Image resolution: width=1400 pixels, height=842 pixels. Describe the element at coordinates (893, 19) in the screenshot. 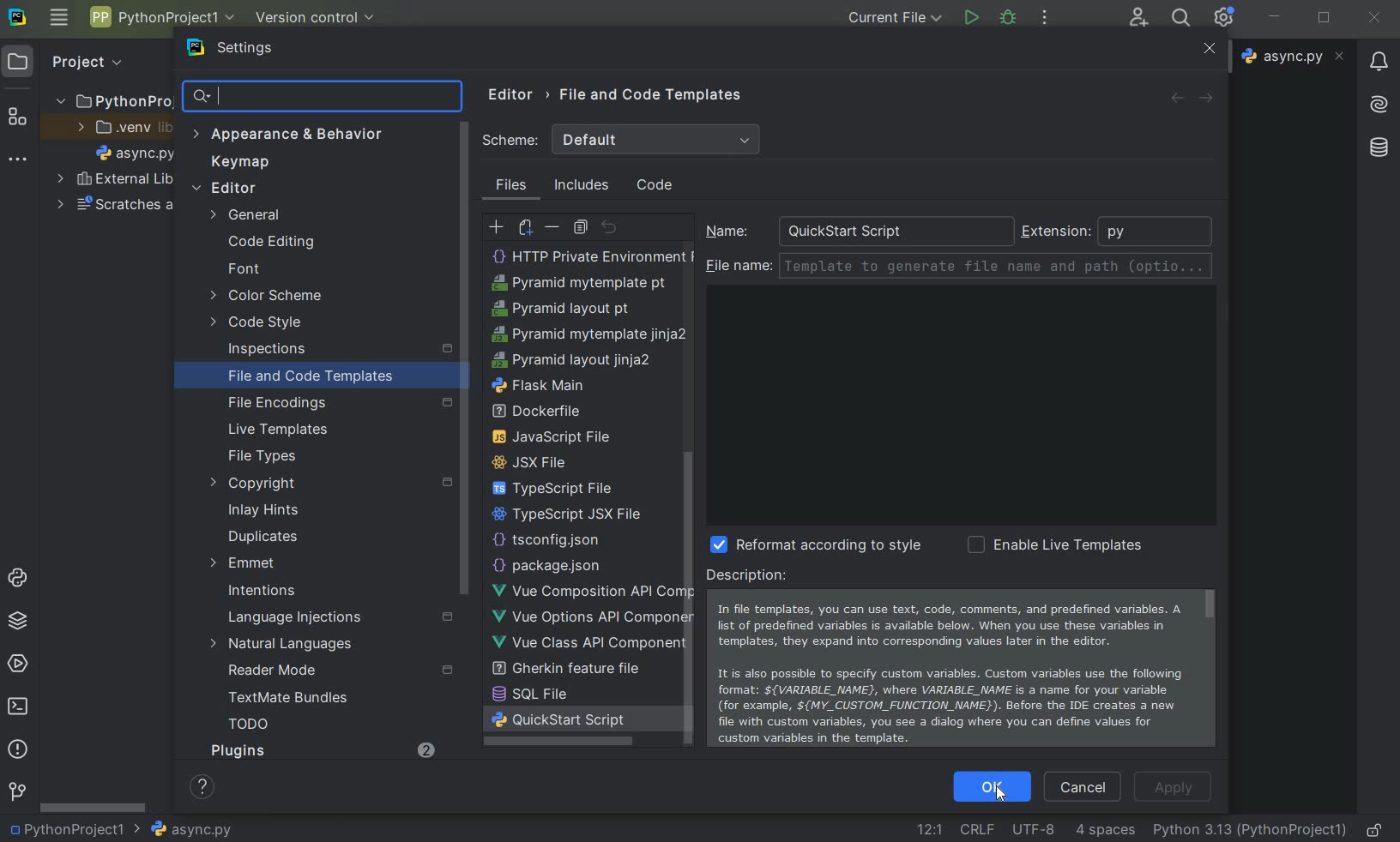

I see `current file` at that location.